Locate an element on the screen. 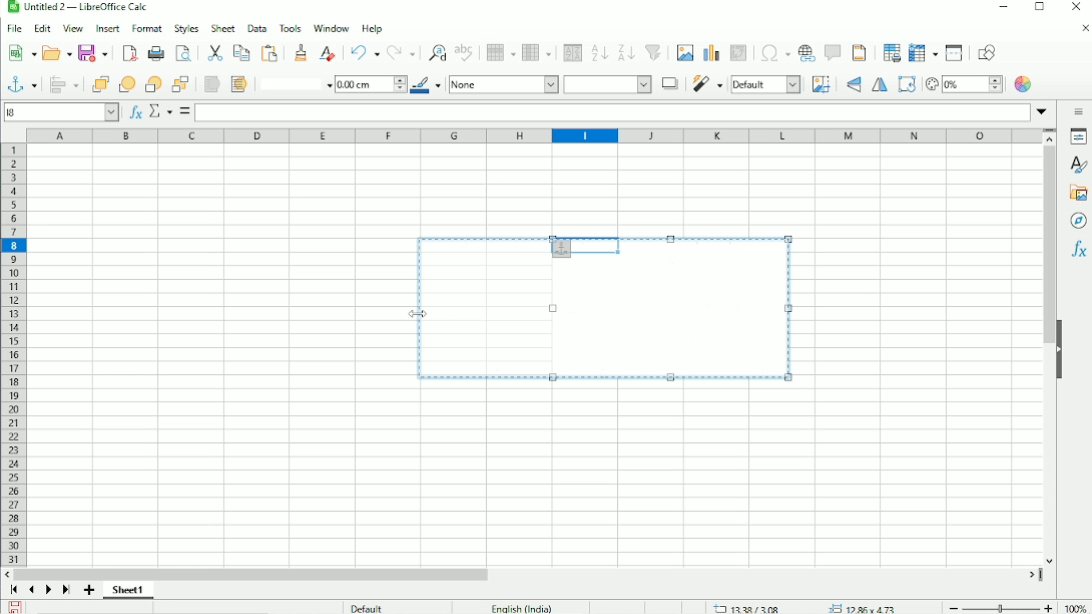 The image size is (1092, 614). View is located at coordinates (73, 28).